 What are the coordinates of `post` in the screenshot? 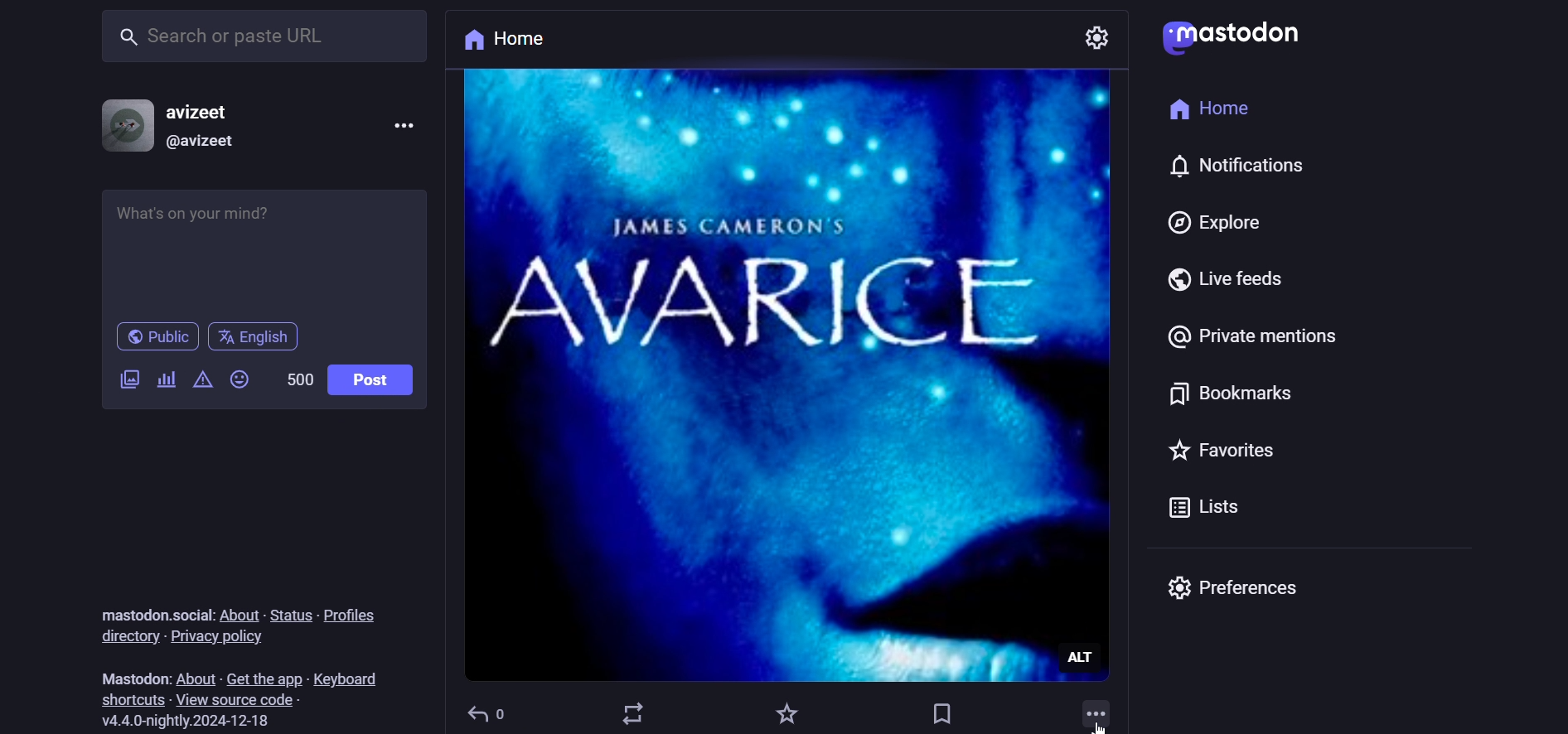 It's located at (378, 382).